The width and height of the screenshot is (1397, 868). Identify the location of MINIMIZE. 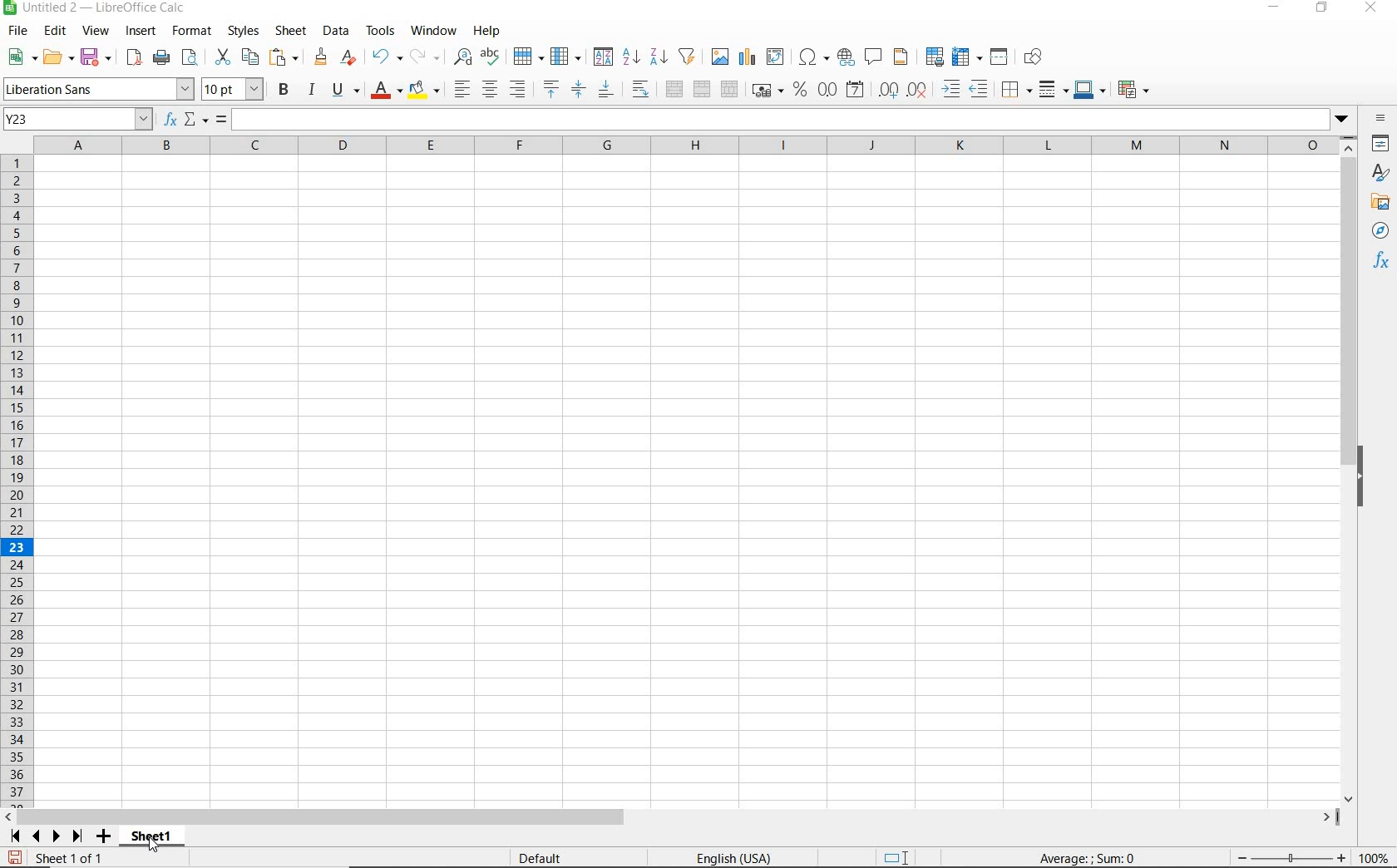
(1276, 8).